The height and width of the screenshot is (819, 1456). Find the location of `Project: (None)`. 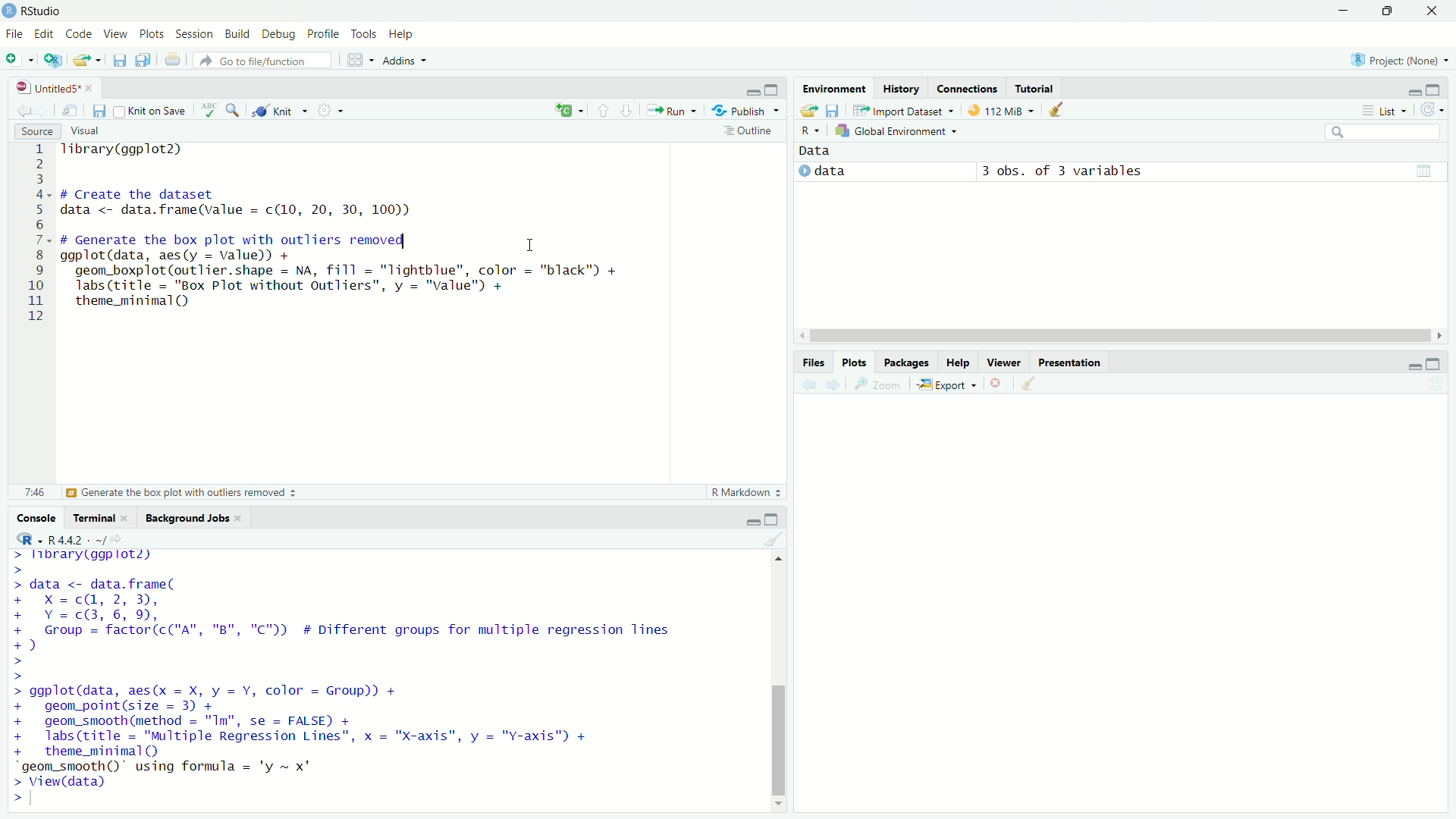

Project: (None) is located at coordinates (1401, 61).